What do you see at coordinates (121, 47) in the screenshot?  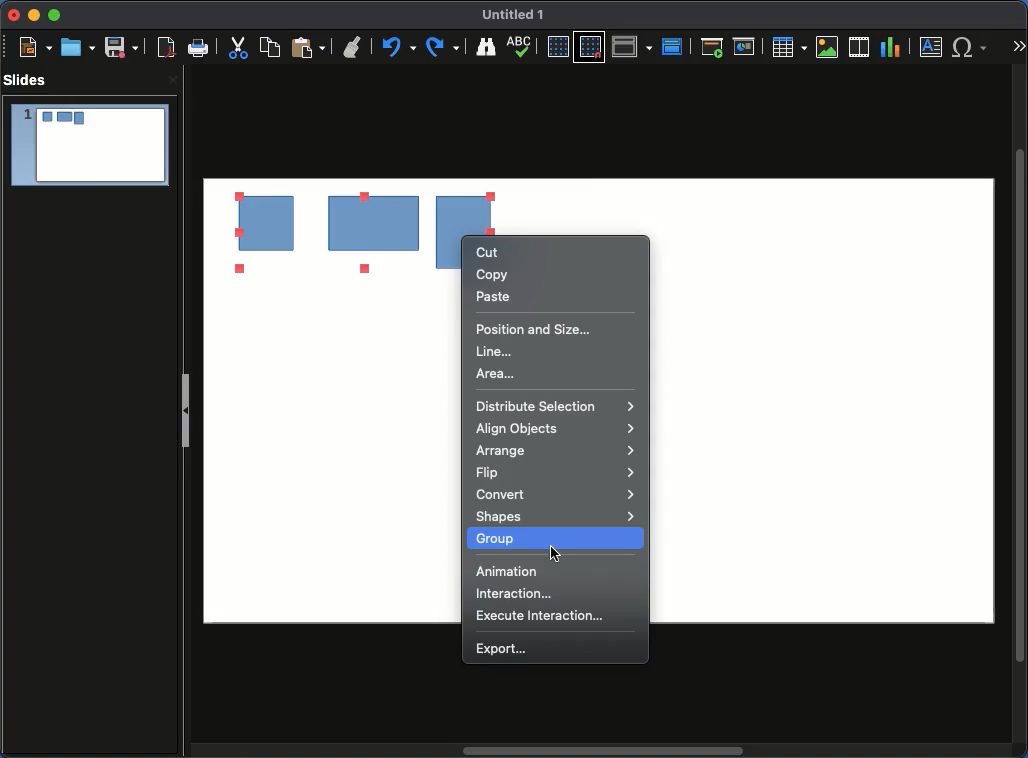 I see `Save` at bounding box center [121, 47].